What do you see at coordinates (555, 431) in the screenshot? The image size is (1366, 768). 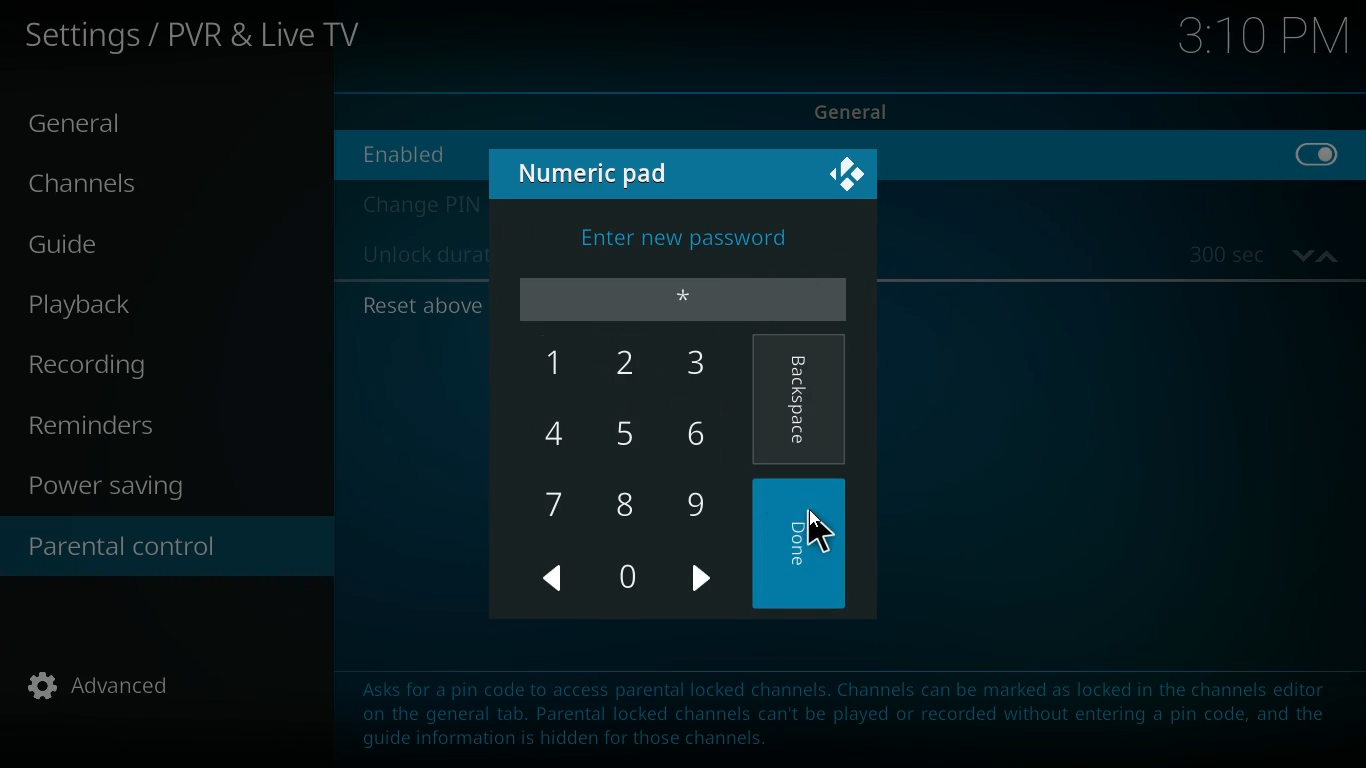 I see `4` at bounding box center [555, 431].